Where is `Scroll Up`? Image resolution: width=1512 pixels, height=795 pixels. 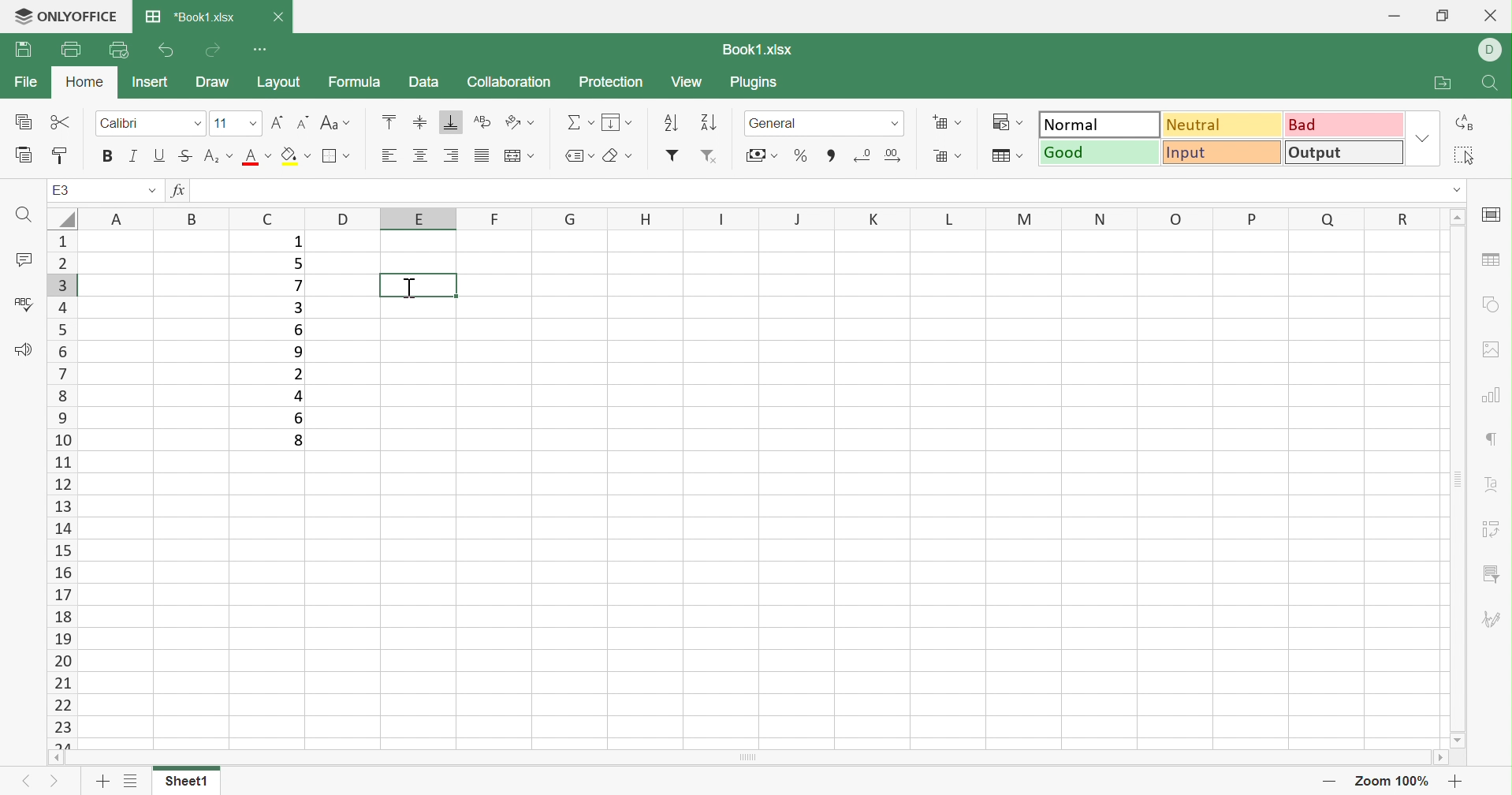 Scroll Up is located at coordinates (1456, 216).